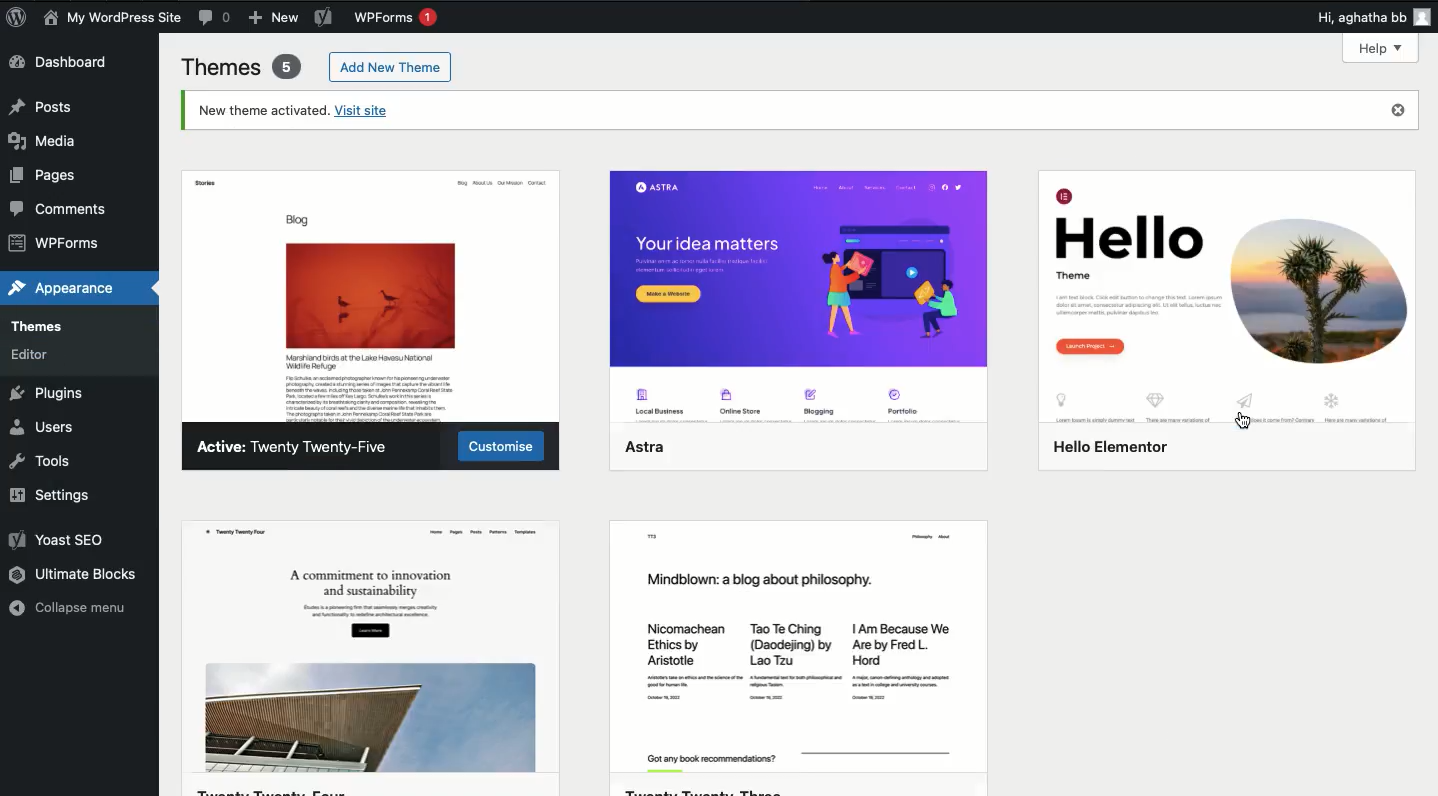  Describe the element at coordinates (1371, 18) in the screenshot. I see `Hi user` at that location.